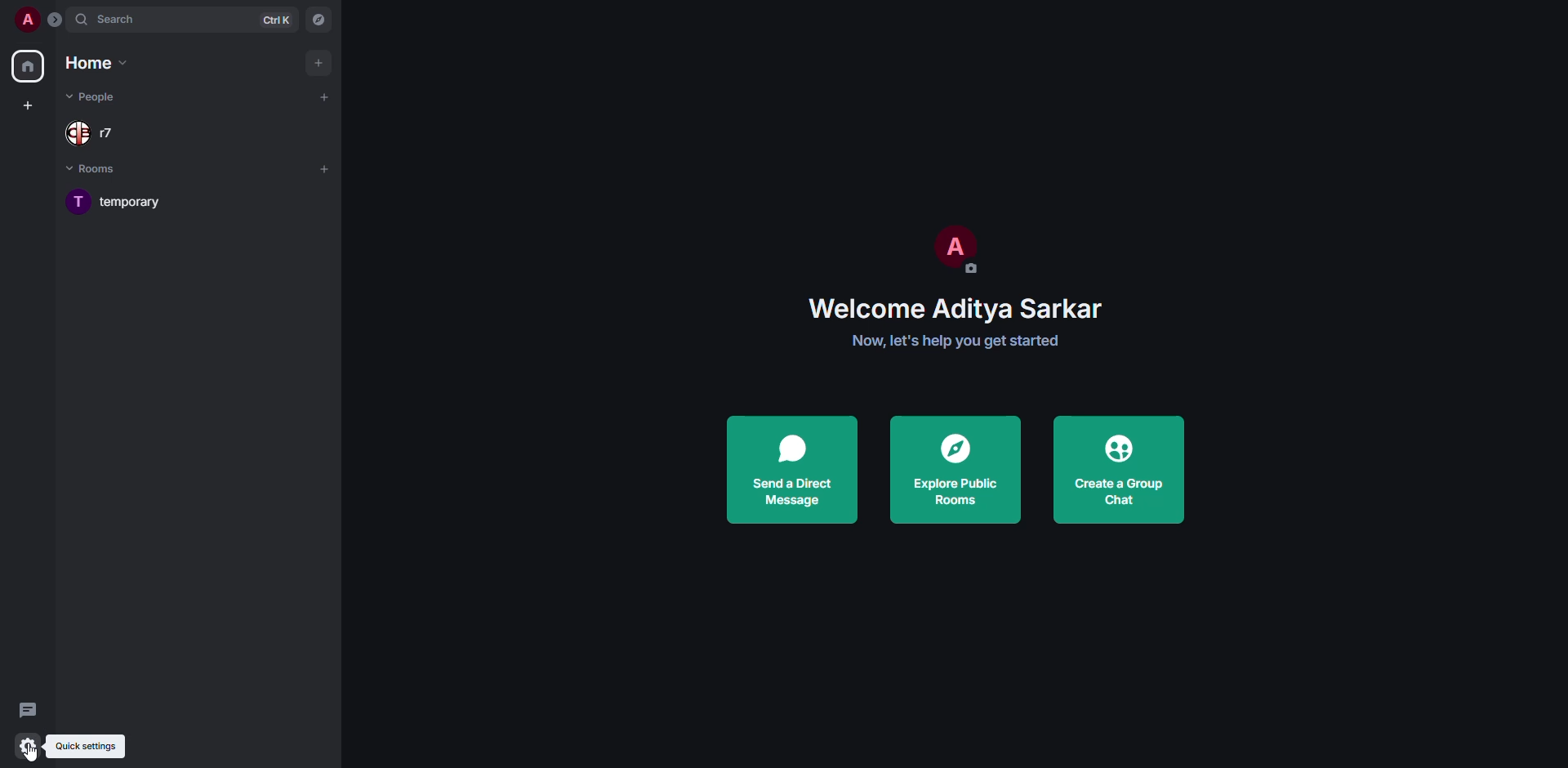 The image size is (1568, 768). What do you see at coordinates (27, 746) in the screenshot?
I see `quick settings` at bounding box center [27, 746].